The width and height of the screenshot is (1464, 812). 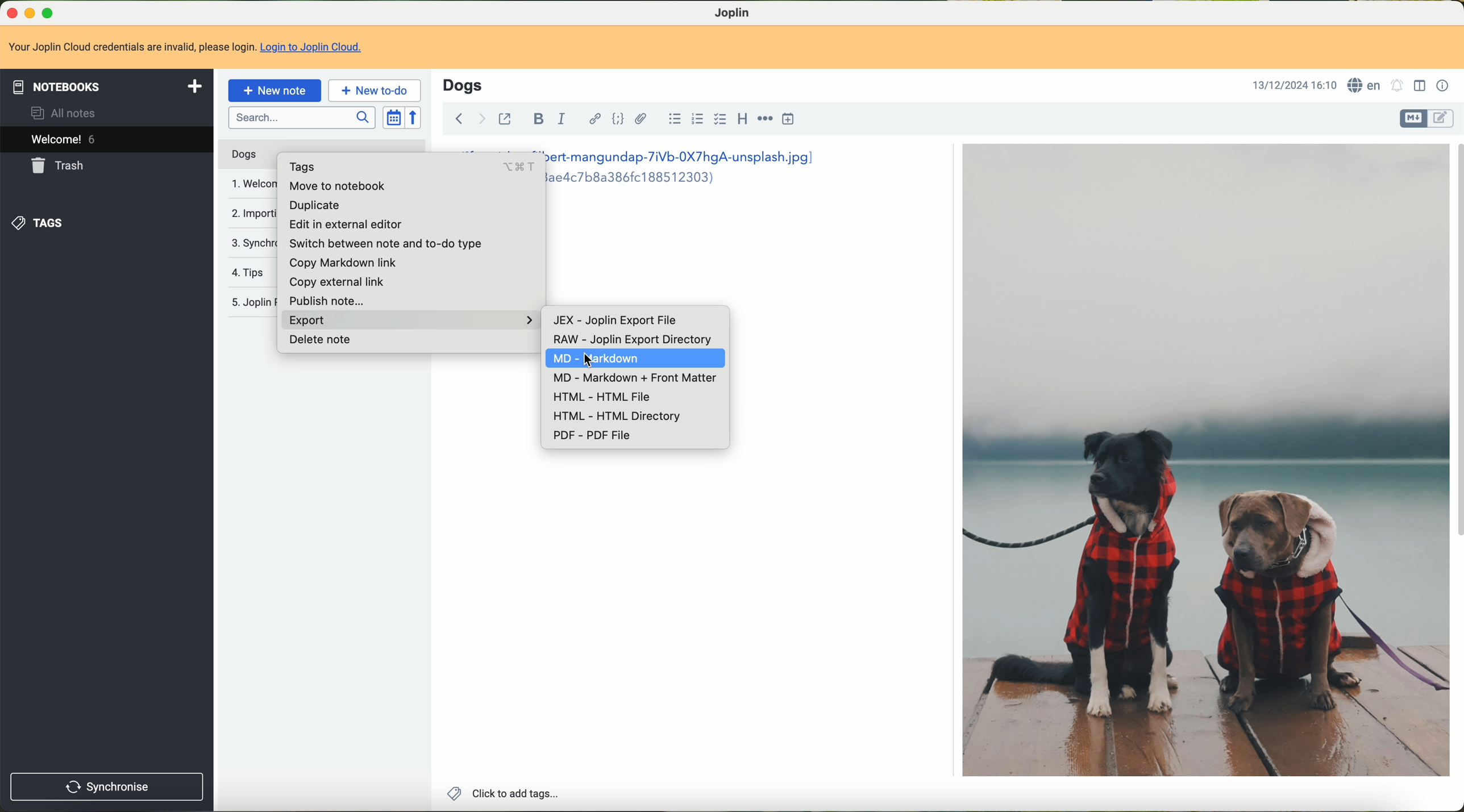 I want to click on search bar, so click(x=302, y=118).